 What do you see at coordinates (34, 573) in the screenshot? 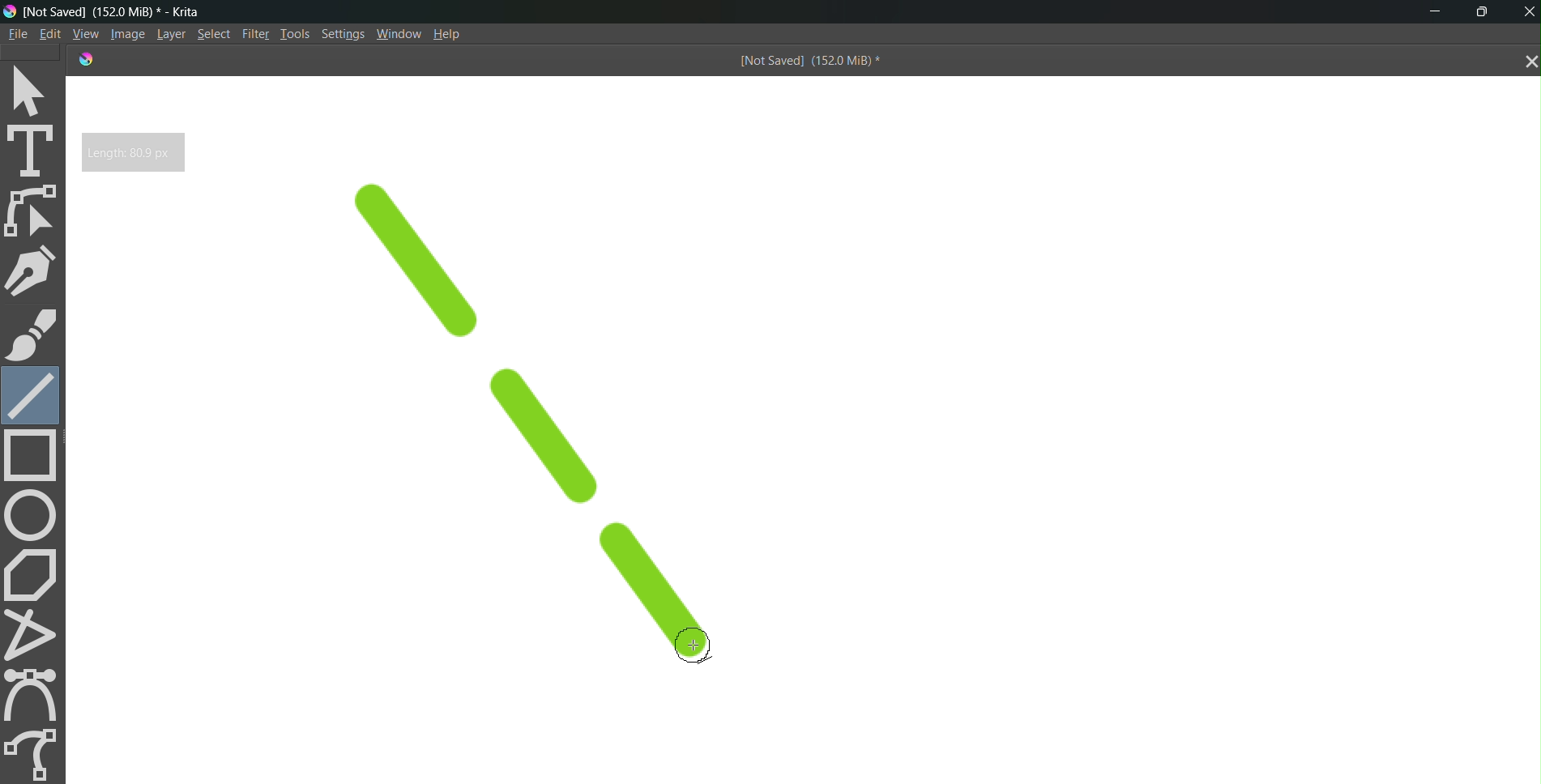
I see `polygon` at bounding box center [34, 573].